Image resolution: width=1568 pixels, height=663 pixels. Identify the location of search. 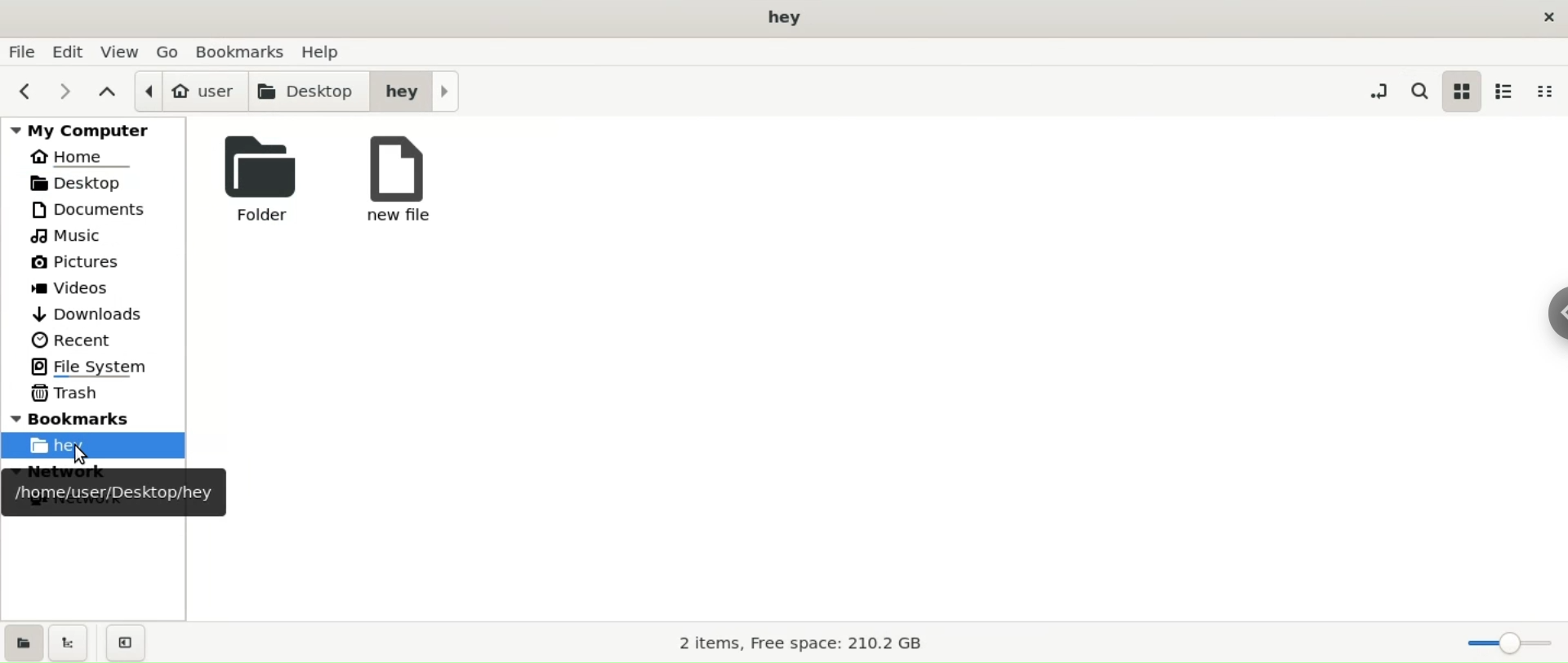
(1419, 91).